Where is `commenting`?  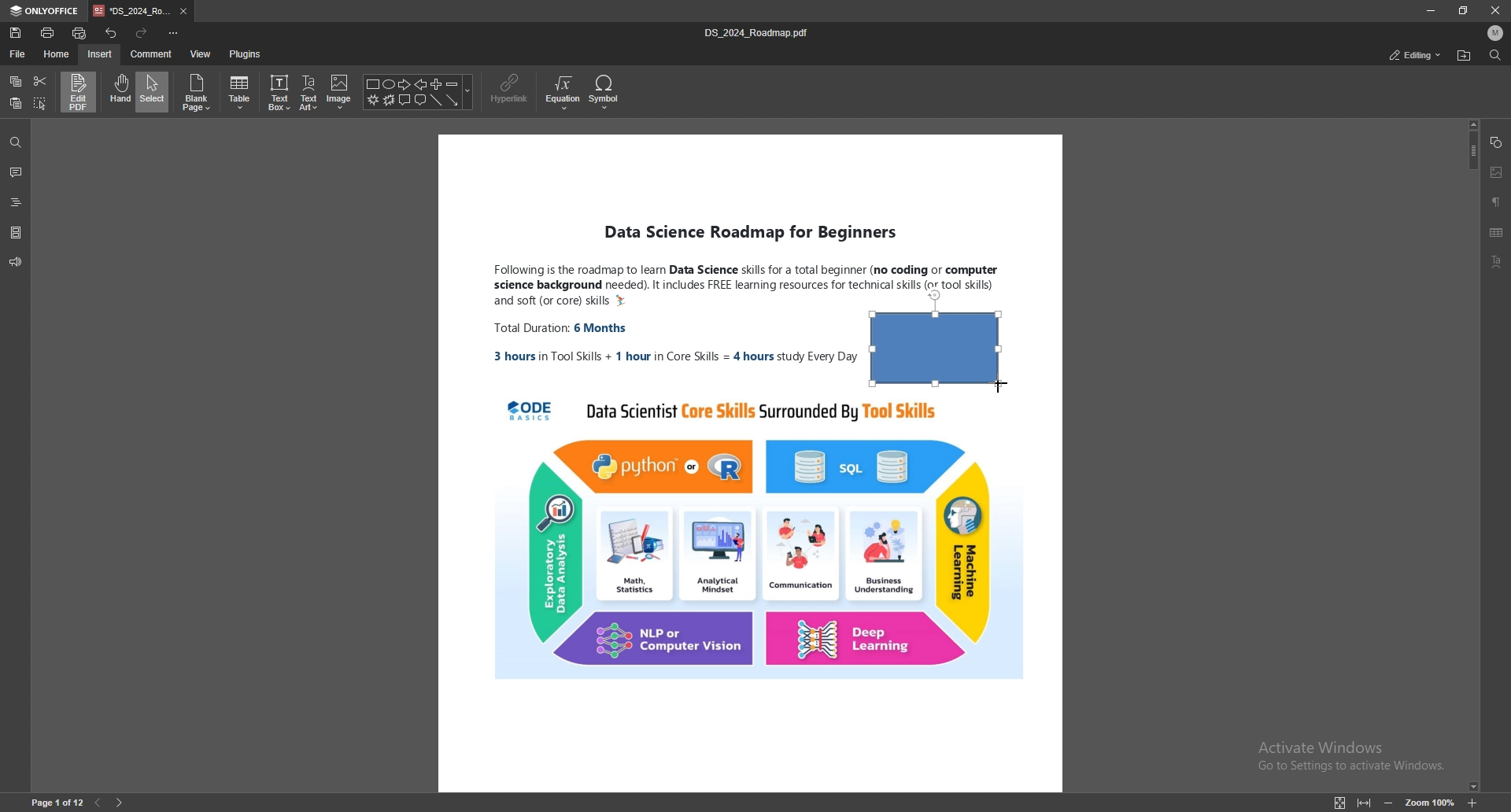 commenting is located at coordinates (1403, 54).